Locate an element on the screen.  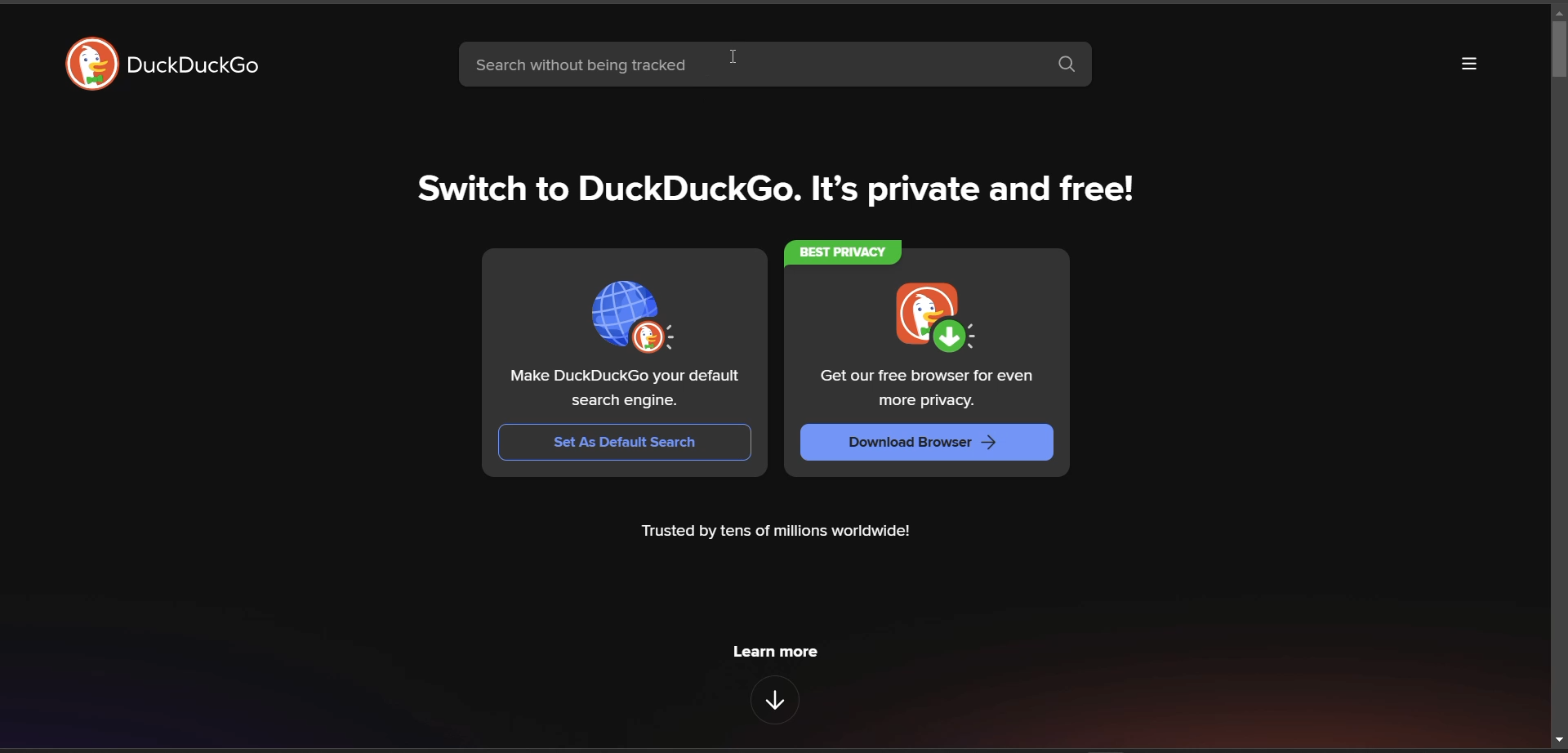
more options is located at coordinates (1470, 65).